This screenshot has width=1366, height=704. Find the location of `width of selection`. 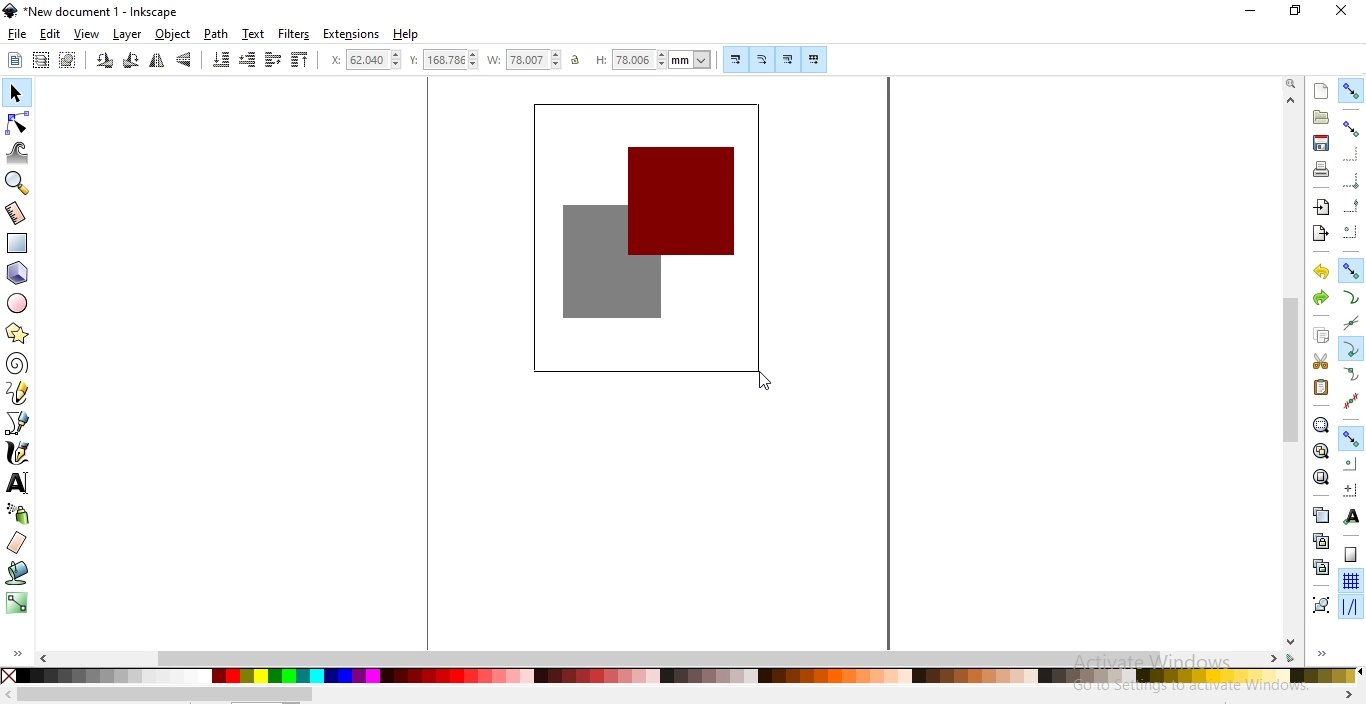

width of selection is located at coordinates (526, 60).